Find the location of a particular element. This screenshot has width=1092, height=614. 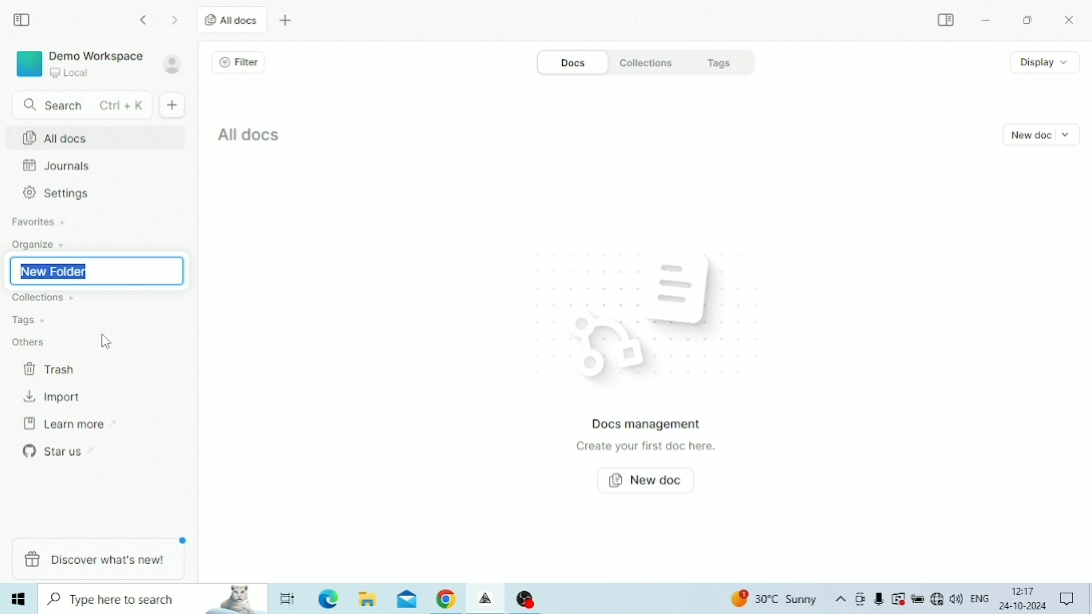

Docs management is located at coordinates (648, 424).